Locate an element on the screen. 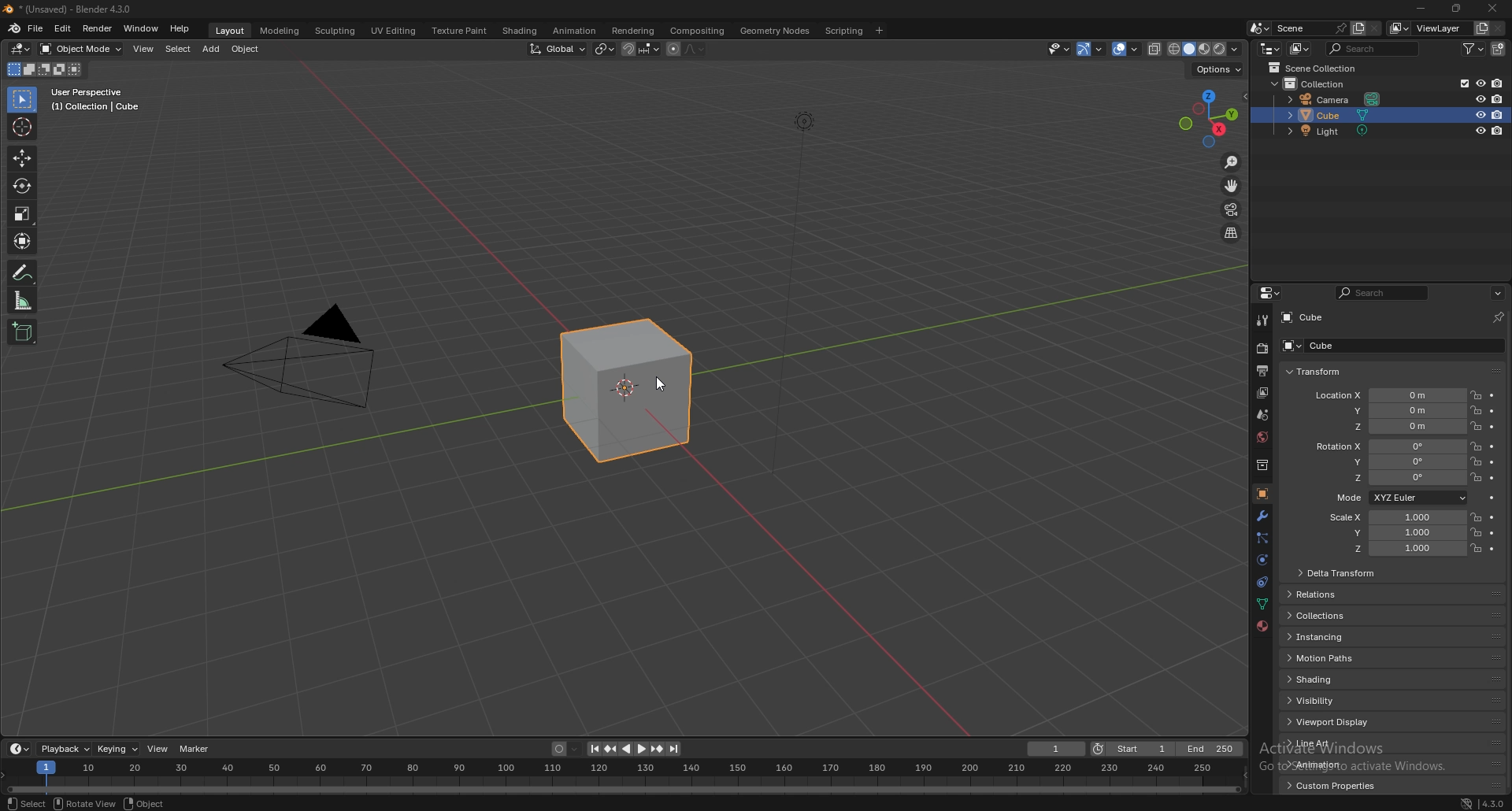 The height and width of the screenshot is (811, 1512). selectibility and visibility is located at coordinates (1060, 50).